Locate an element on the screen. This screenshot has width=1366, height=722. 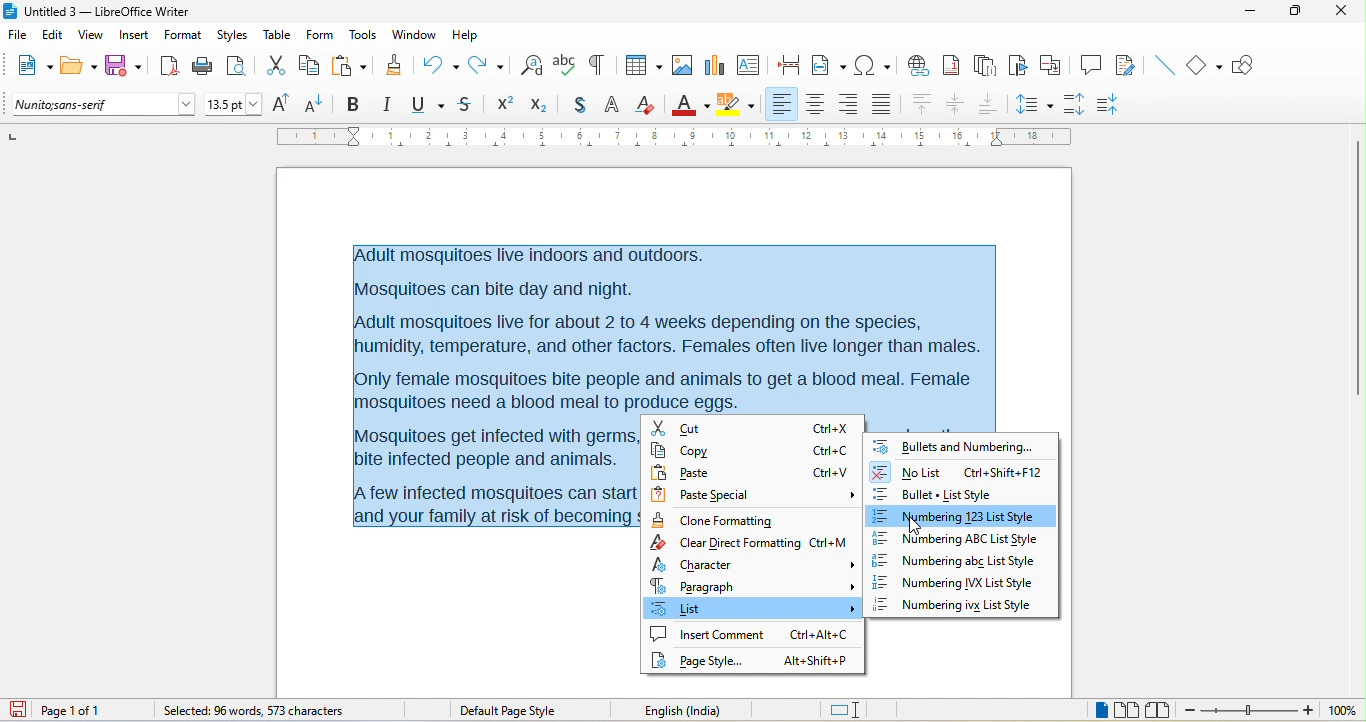
zoom is located at coordinates (1272, 711).